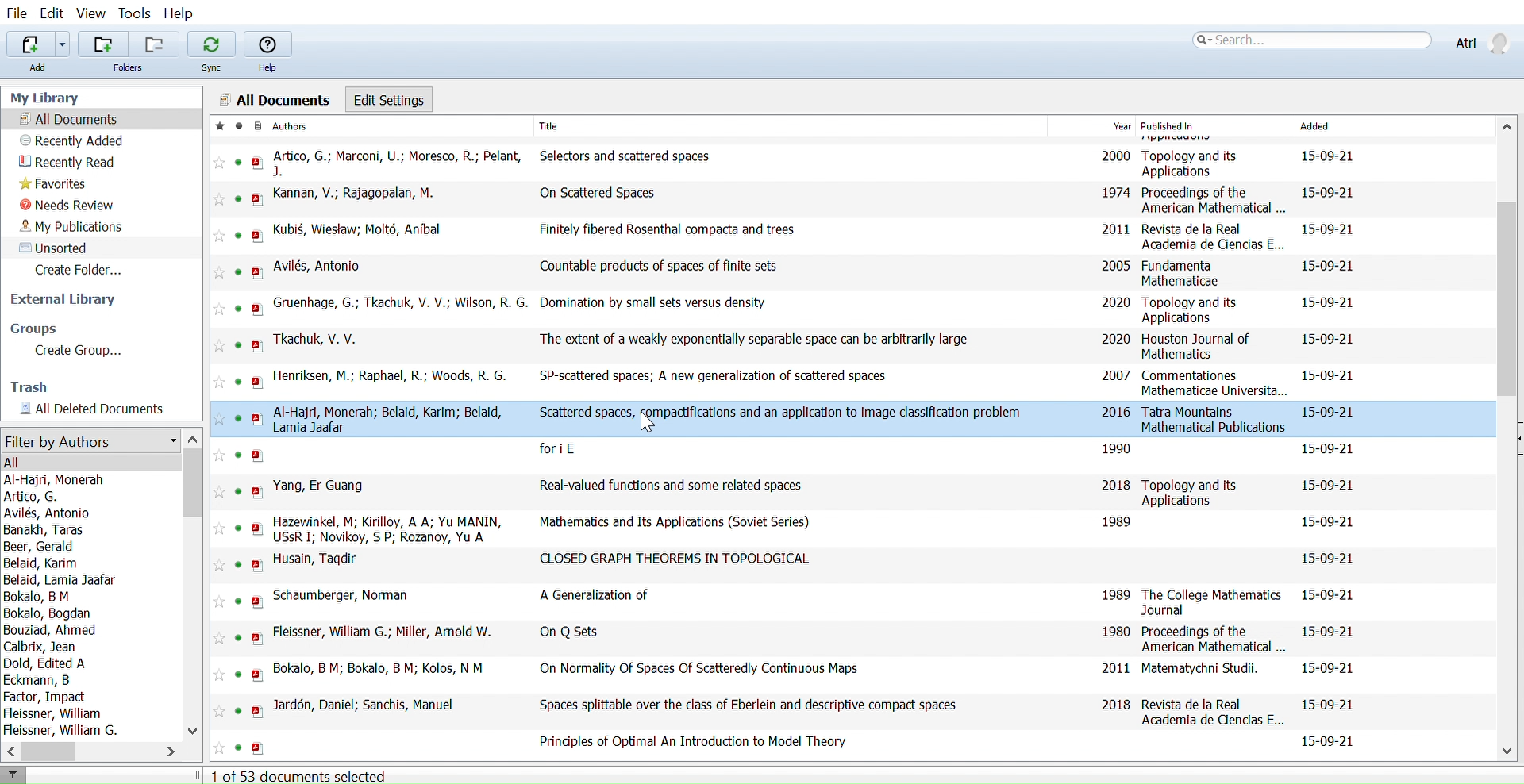 This screenshot has width=1524, height=784. What do you see at coordinates (1328, 339) in the screenshot?
I see `15-09-21` at bounding box center [1328, 339].